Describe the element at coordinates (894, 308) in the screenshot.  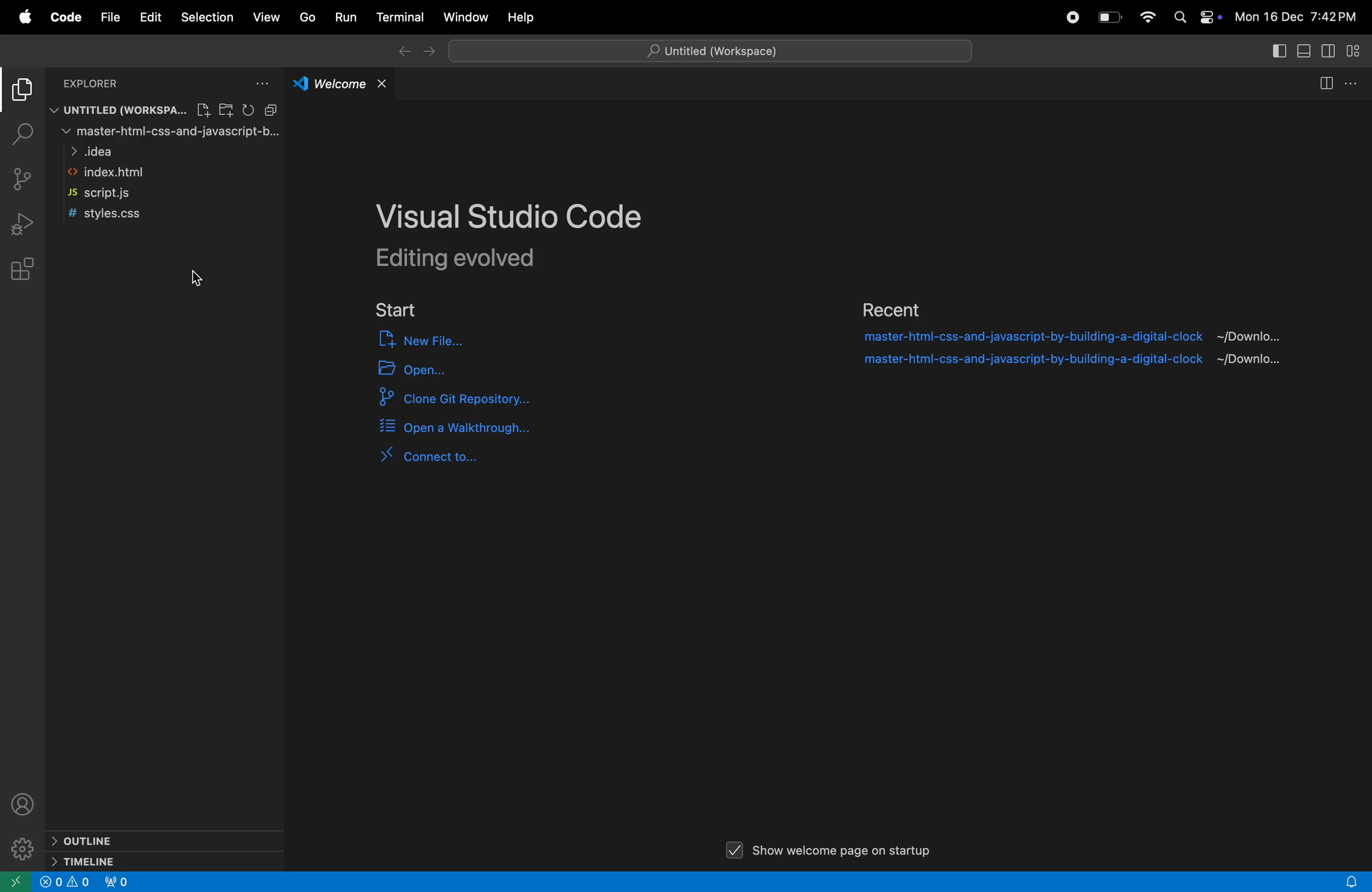
I see `recent` at that location.